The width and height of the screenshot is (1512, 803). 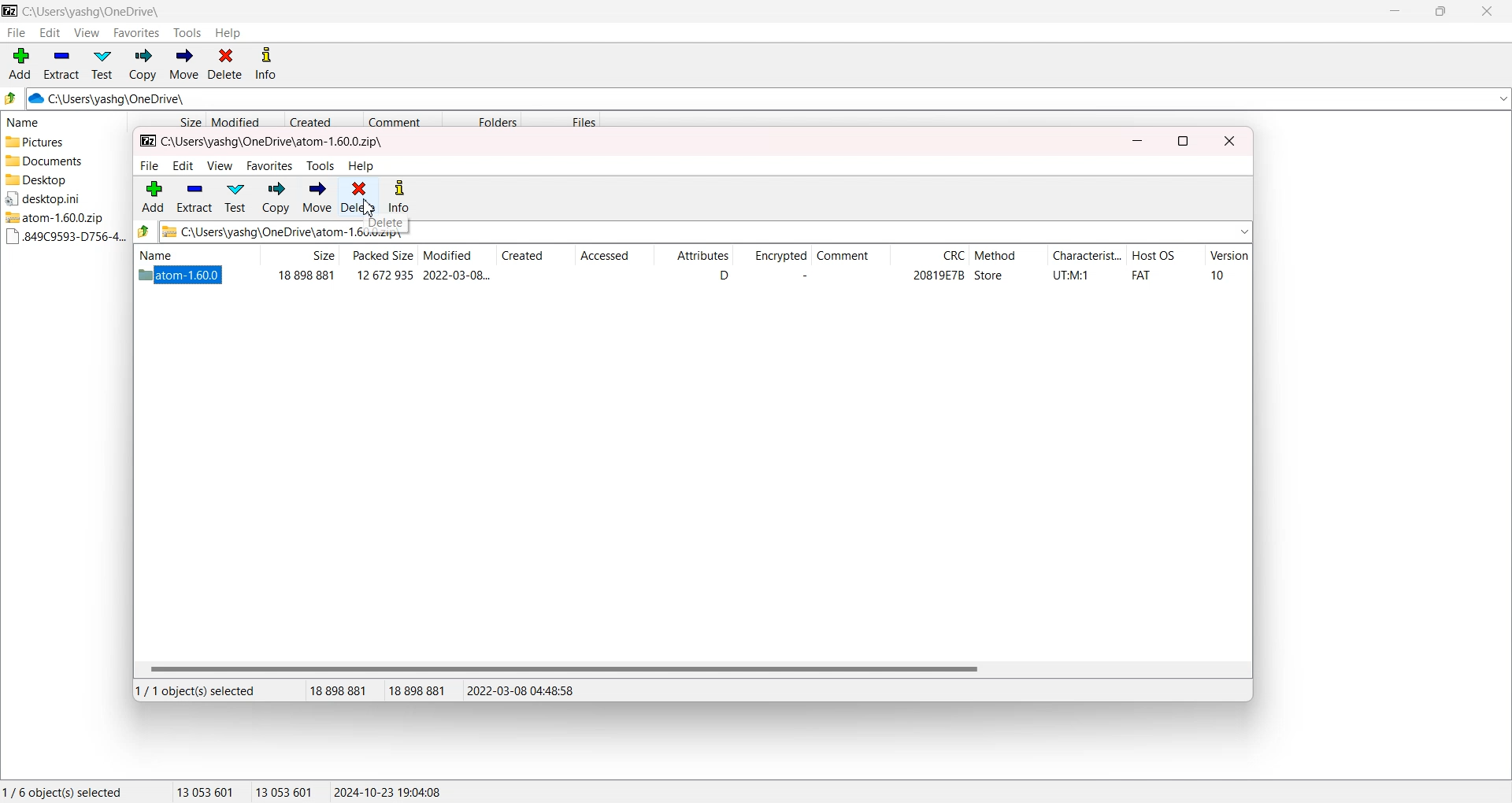 I want to click on 2022-03-08 04:48:58, so click(x=522, y=690).